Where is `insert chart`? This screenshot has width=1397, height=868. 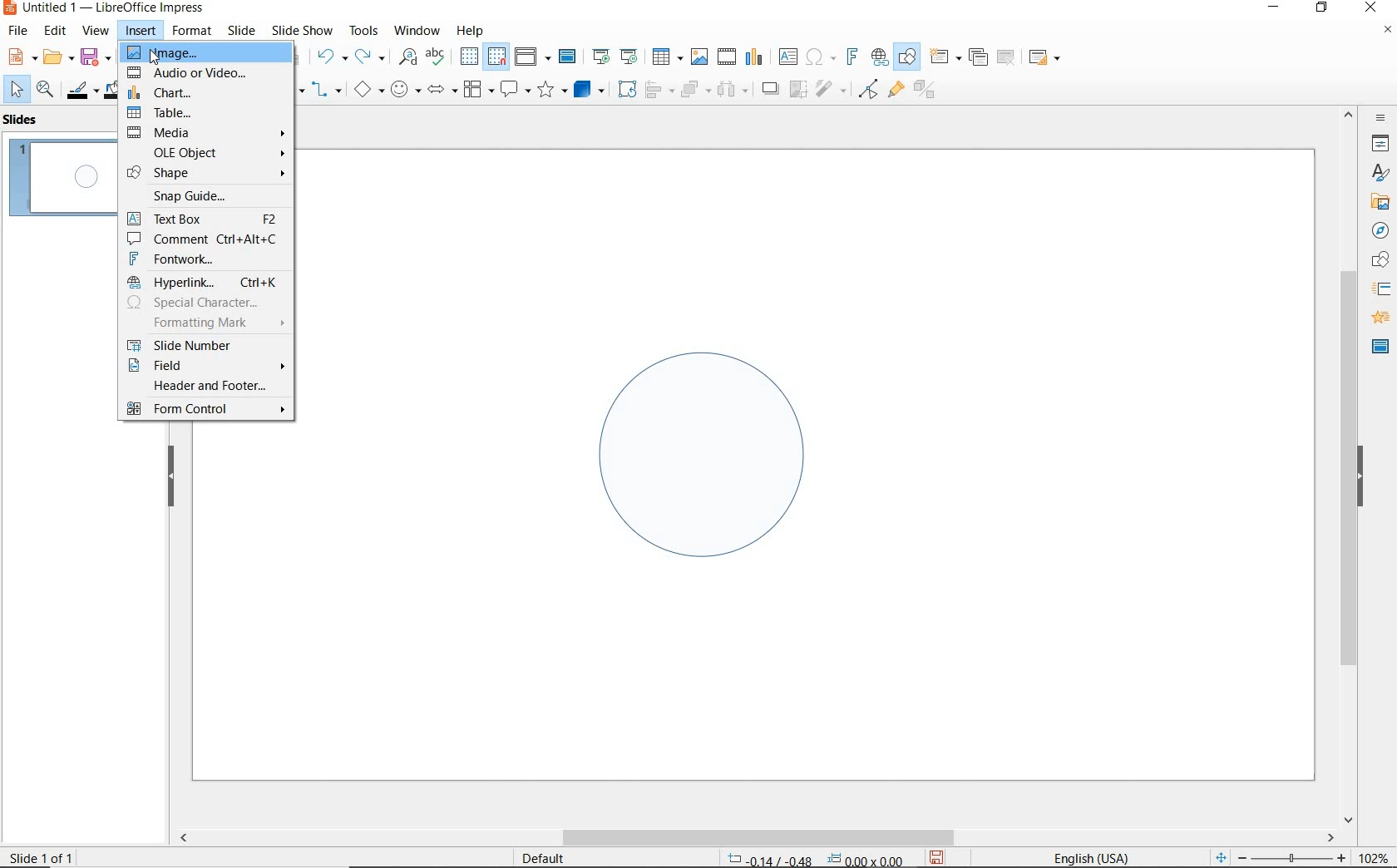 insert chart is located at coordinates (754, 57).